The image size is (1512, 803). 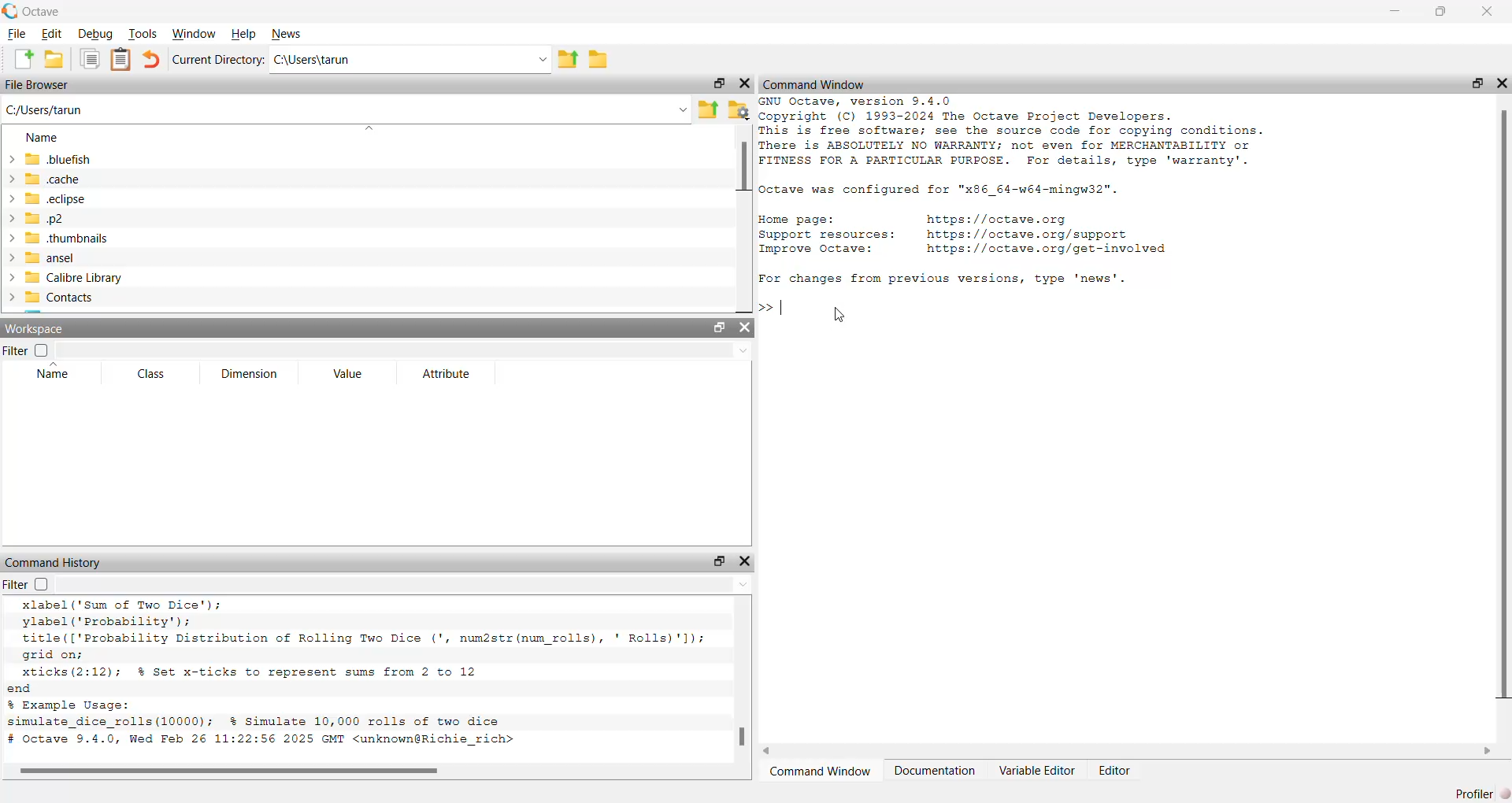 I want to click on Filter, so click(x=24, y=584).